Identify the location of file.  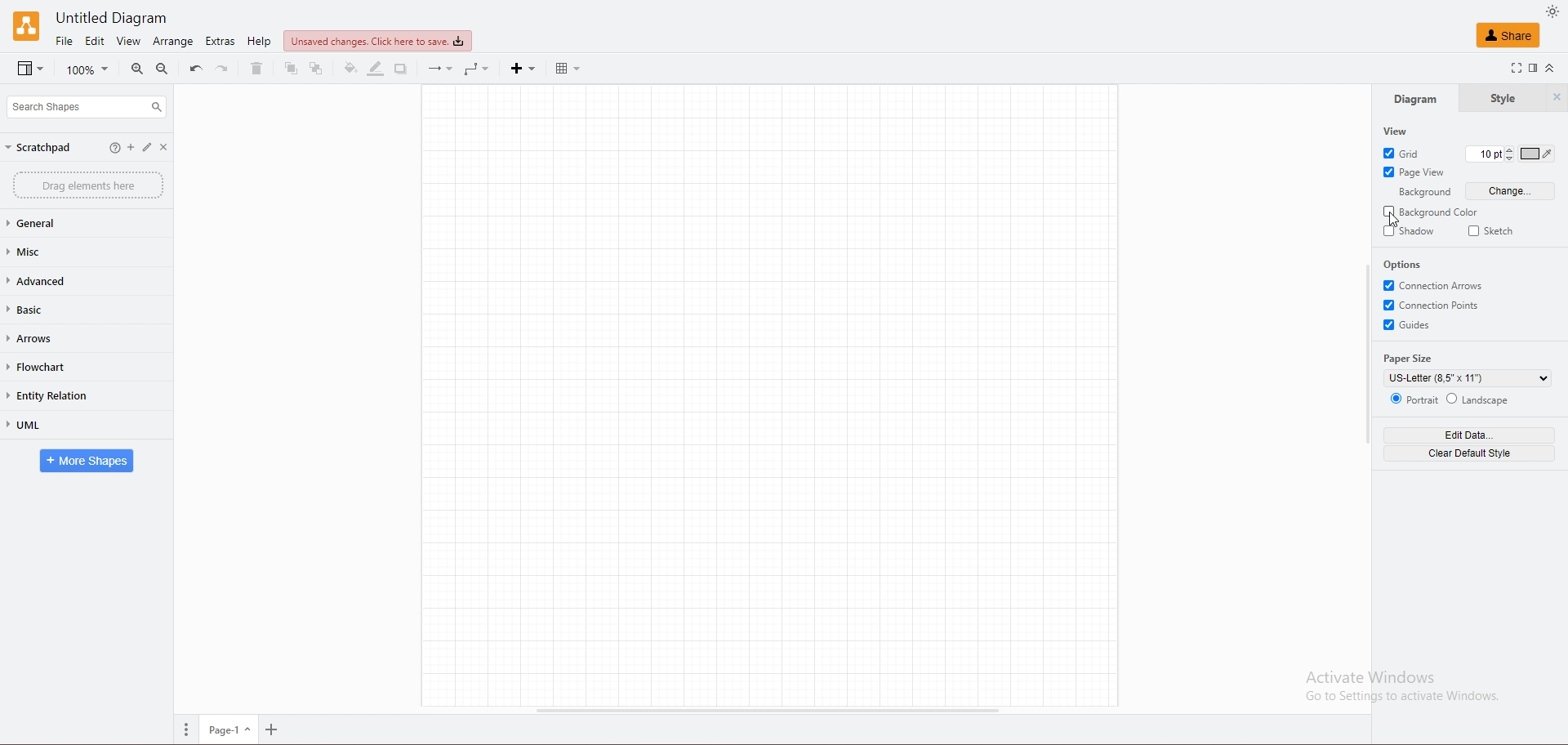
(65, 41).